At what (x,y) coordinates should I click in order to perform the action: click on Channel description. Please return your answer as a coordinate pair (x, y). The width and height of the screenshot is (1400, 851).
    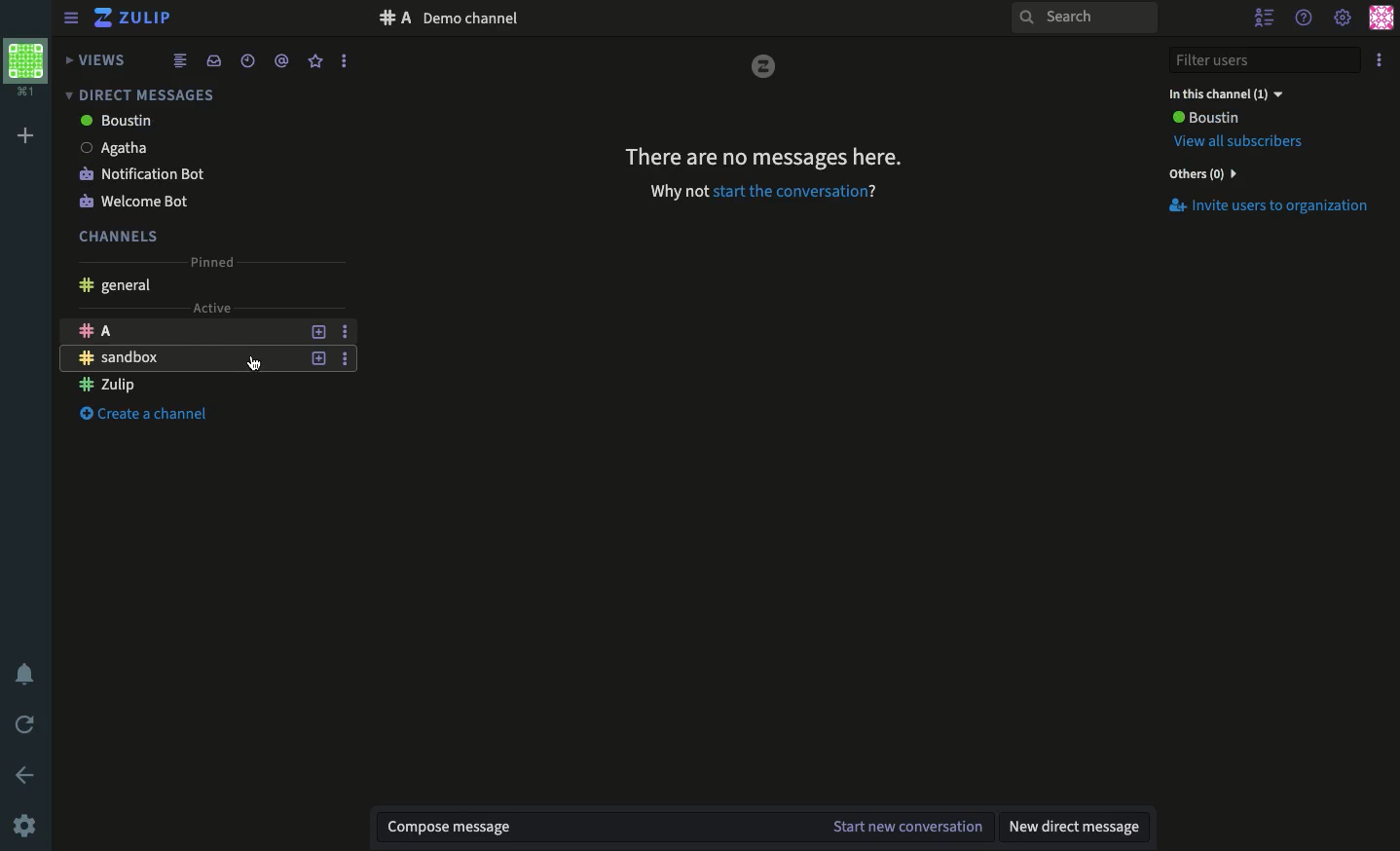
    Looking at the image, I should click on (479, 18).